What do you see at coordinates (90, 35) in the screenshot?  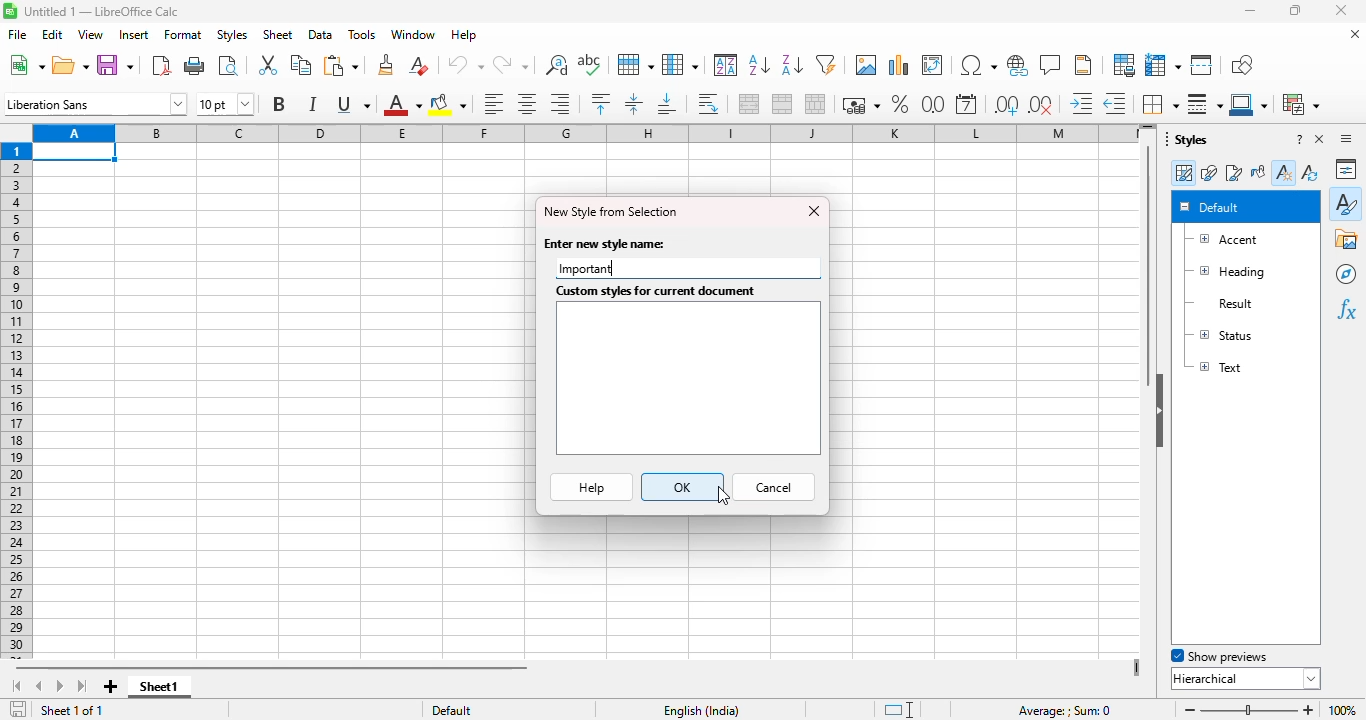 I see `view` at bounding box center [90, 35].